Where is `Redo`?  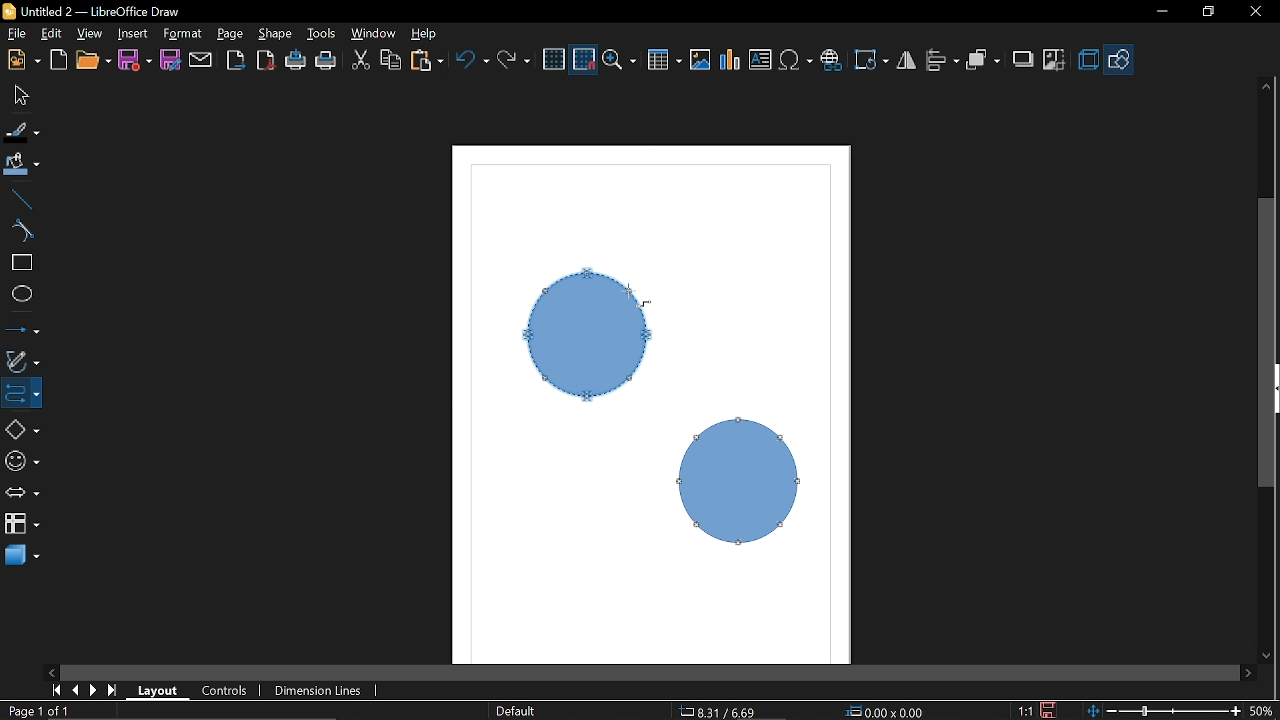 Redo is located at coordinates (514, 57).